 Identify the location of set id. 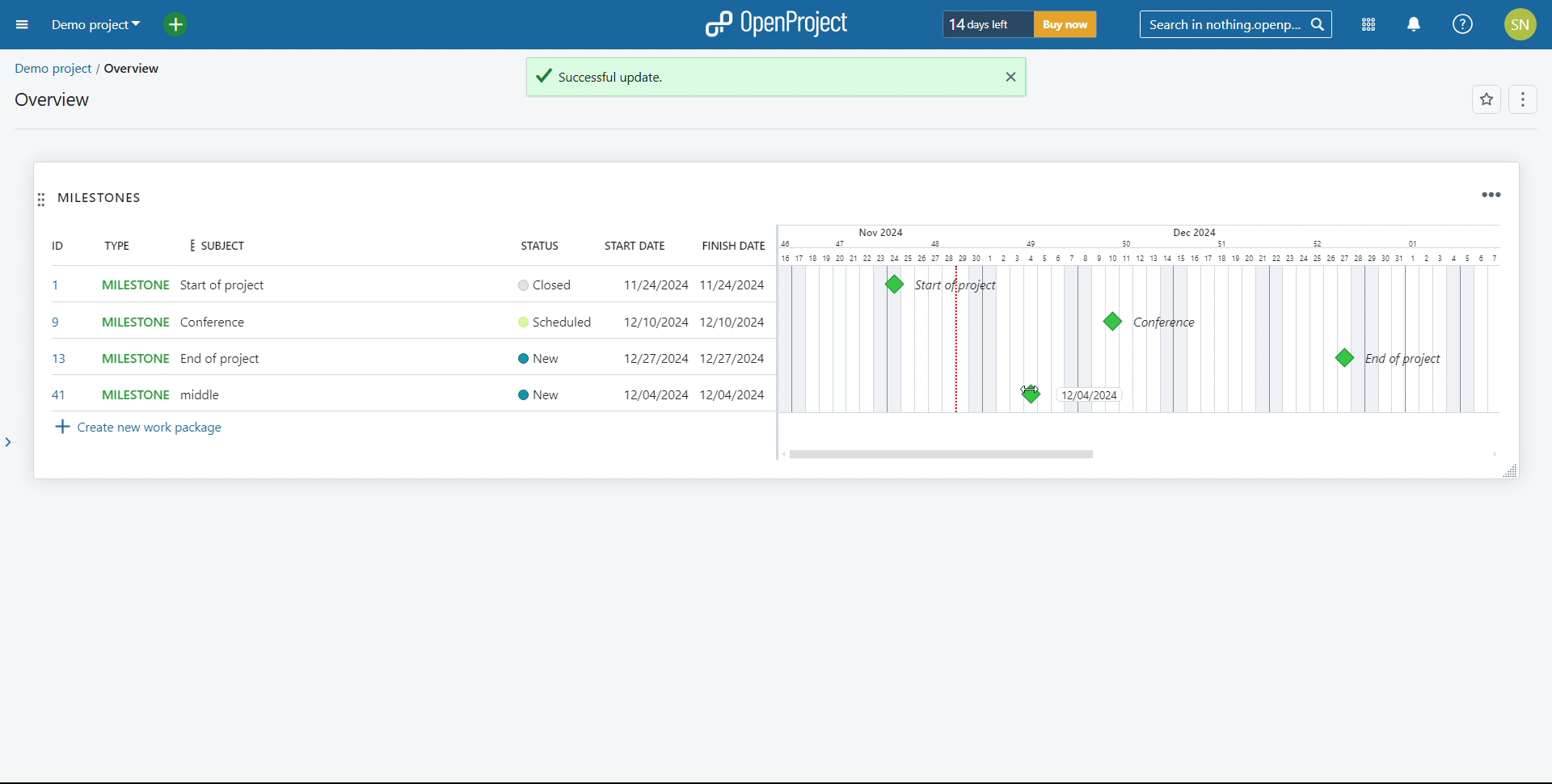
(57, 339).